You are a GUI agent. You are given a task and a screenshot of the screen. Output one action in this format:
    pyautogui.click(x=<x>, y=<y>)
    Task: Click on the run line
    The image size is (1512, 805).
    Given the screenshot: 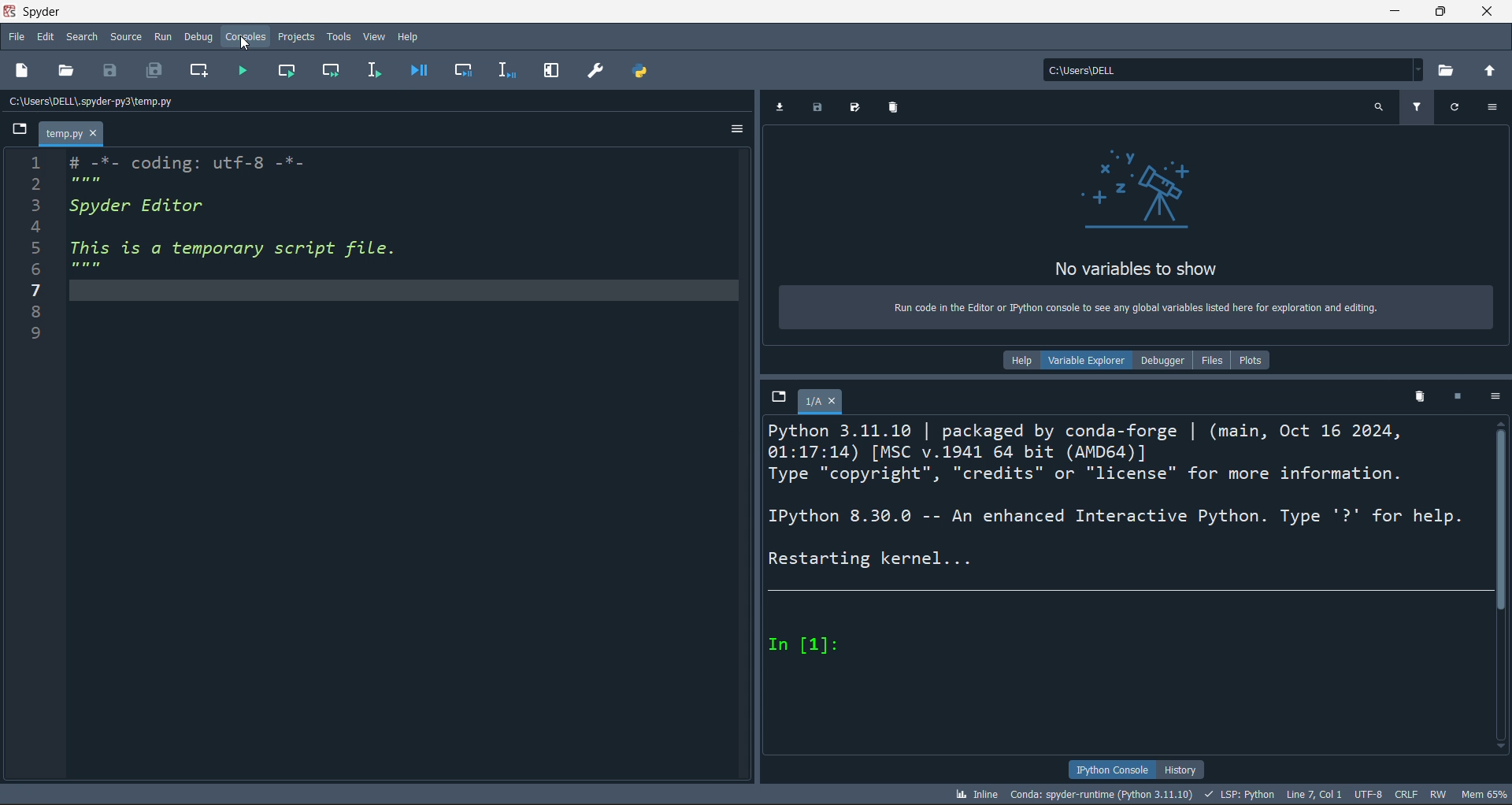 What is the action you would take?
    pyautogui.click(x=375, y=69)
    